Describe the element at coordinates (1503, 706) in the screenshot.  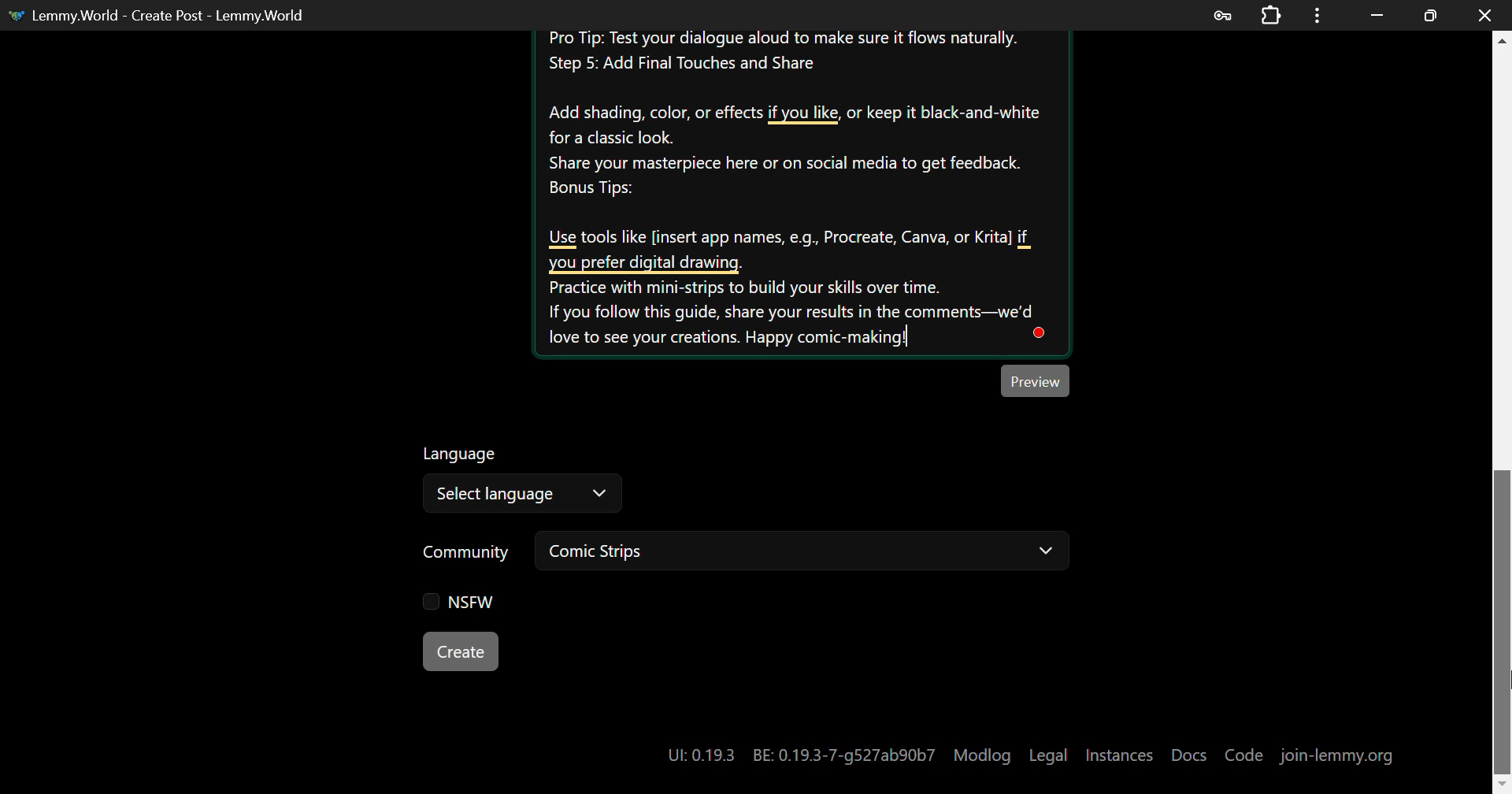
I see `DRAG_TO Cursor Position` at that location.